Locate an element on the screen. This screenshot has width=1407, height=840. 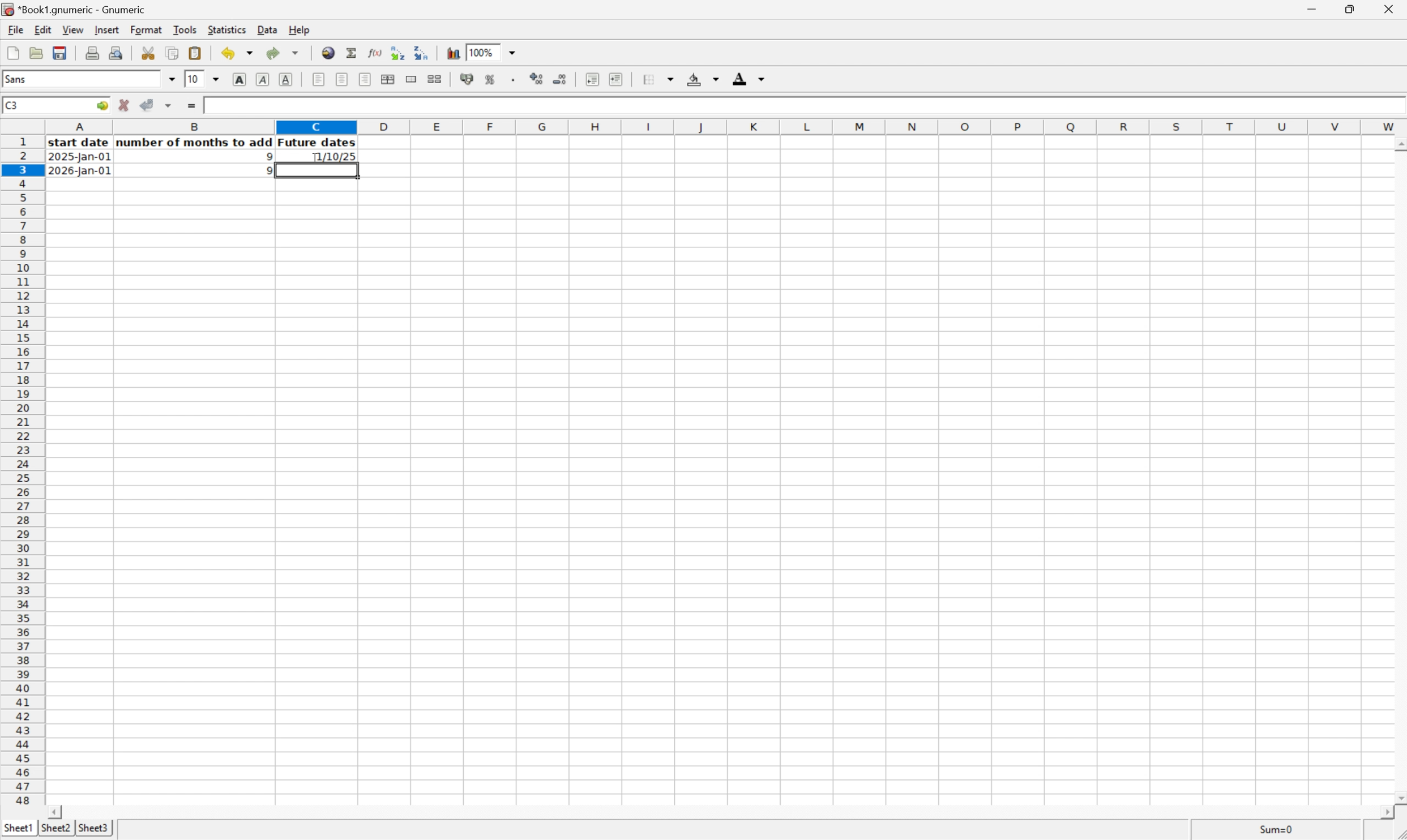
Scroll Up is located at coordinates (1398, 143).